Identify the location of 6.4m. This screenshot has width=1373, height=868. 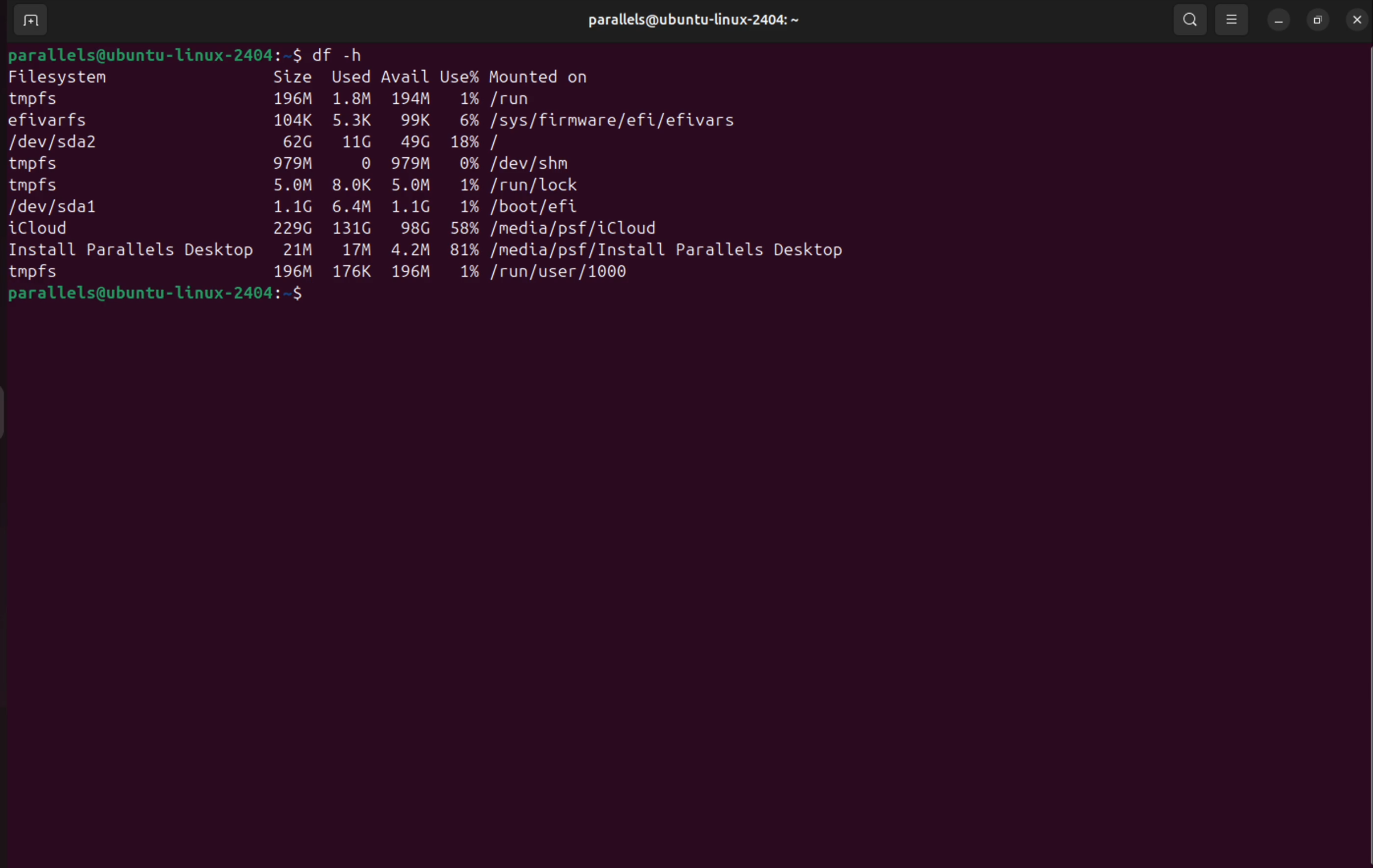
(352, 207).